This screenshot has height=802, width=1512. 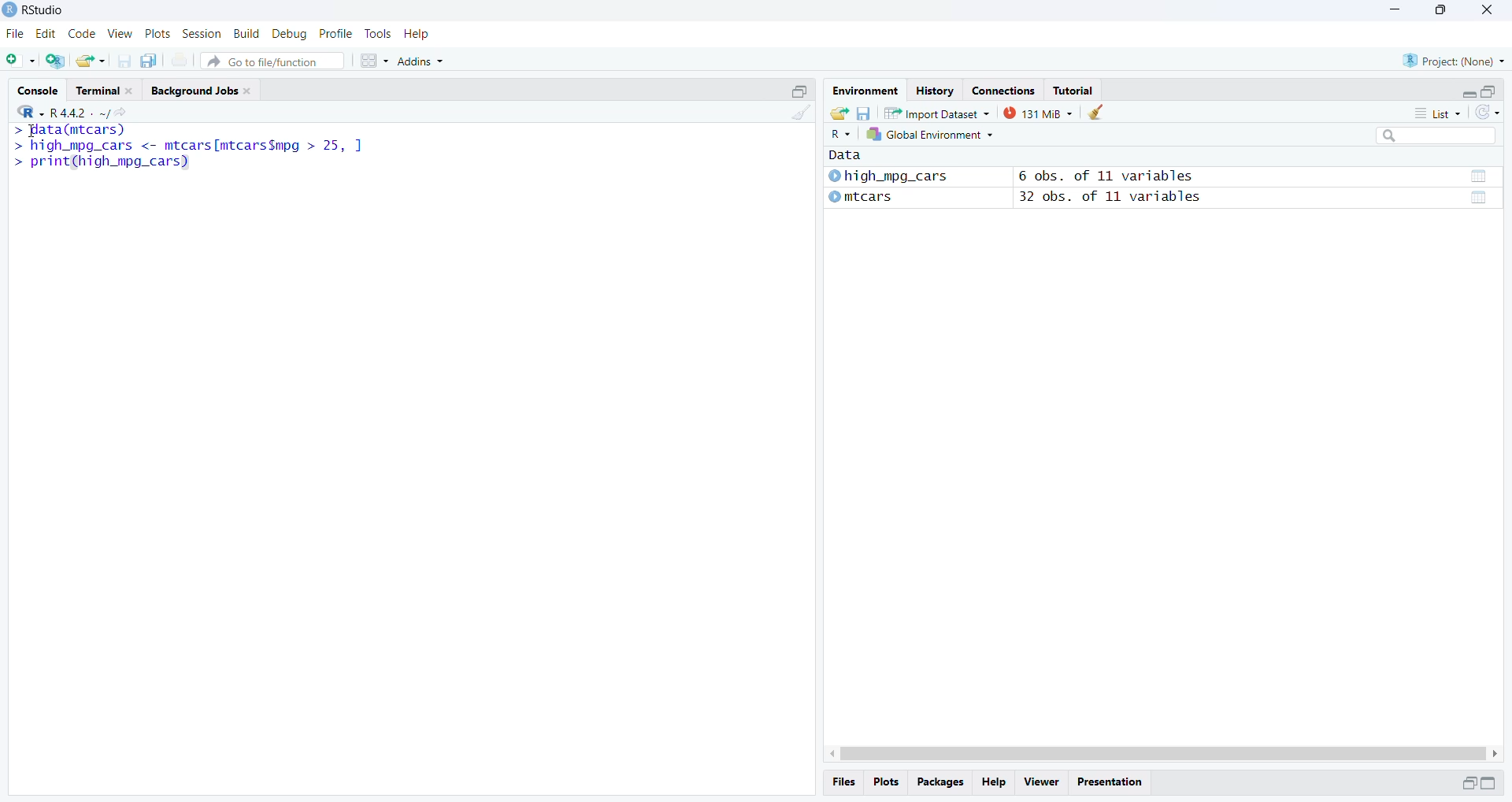 I want to click on create a project, so click(x=57, y=61).